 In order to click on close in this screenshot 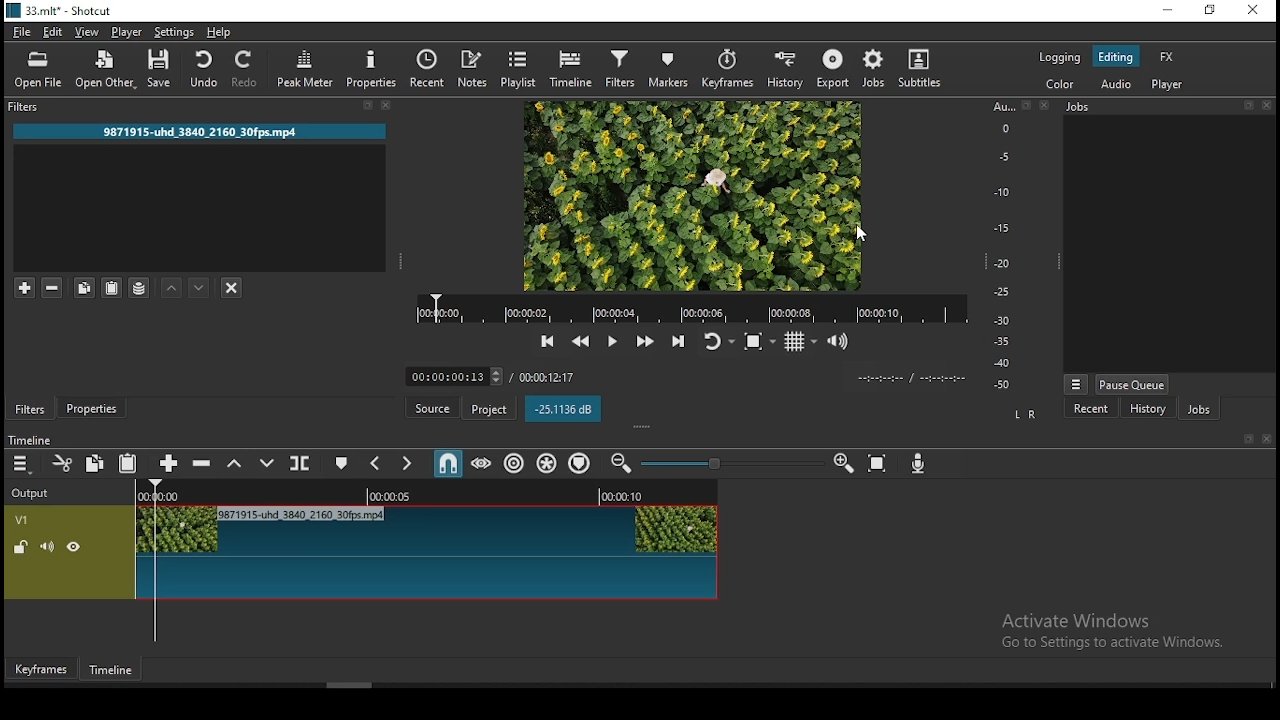, I will do `click(1269, 109)`.